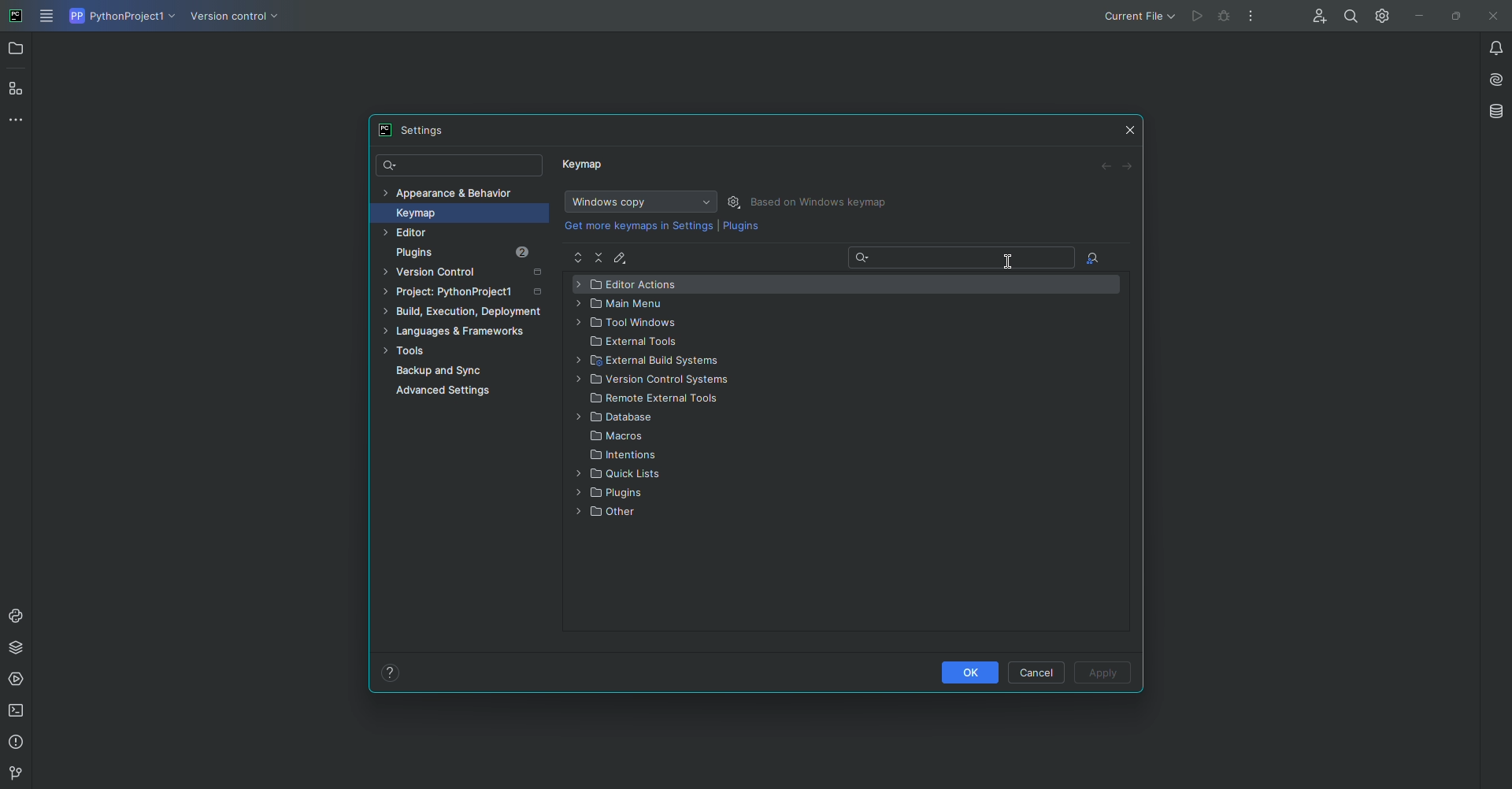 Image resolution: width=1512 pixels, height=789 pixels. What do you see at coordinates (1487, 47) in the screenshot?
I see `Notifications` at bounding box center [1487, 47].